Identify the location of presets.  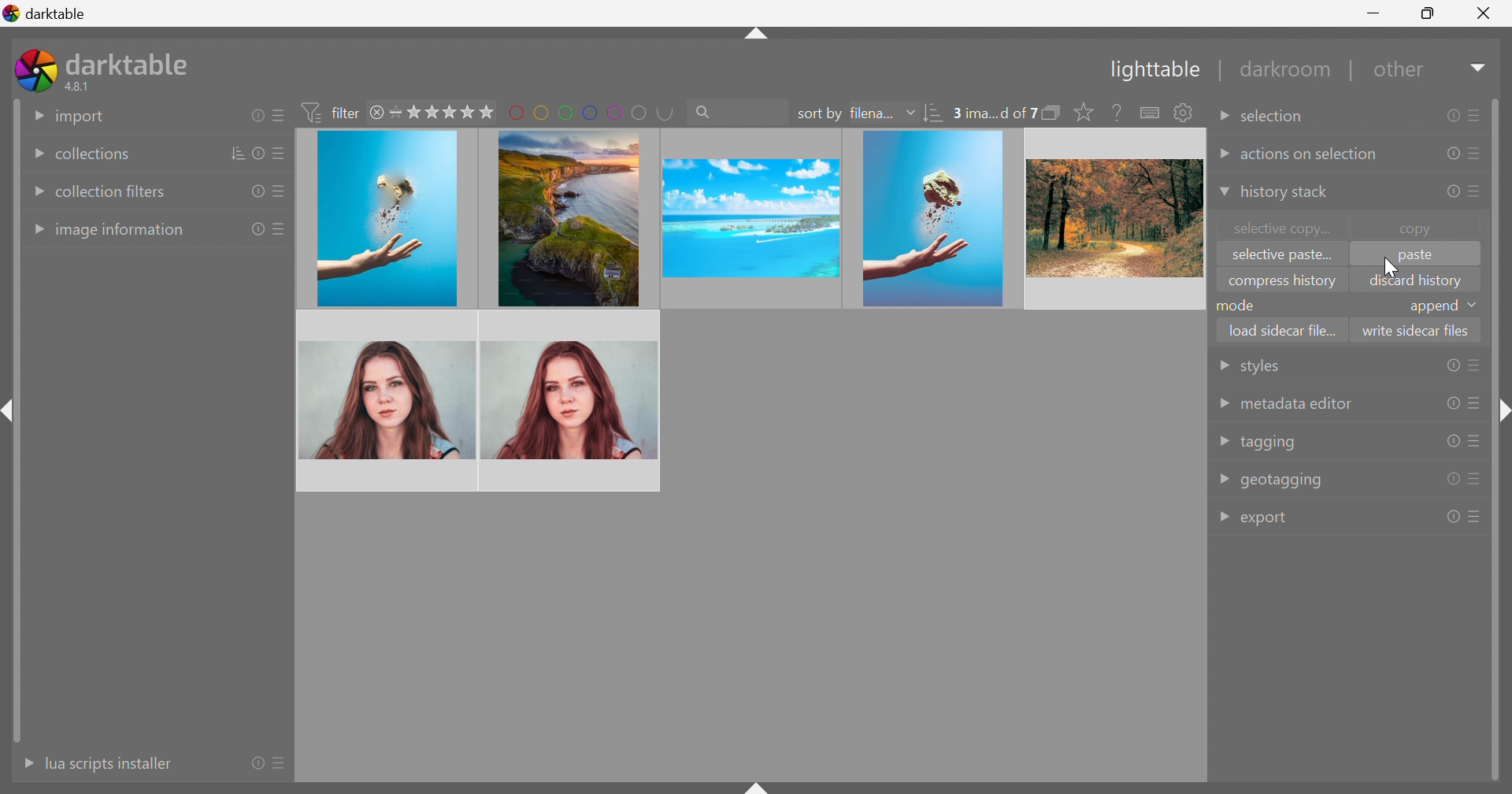
(1477, 516).